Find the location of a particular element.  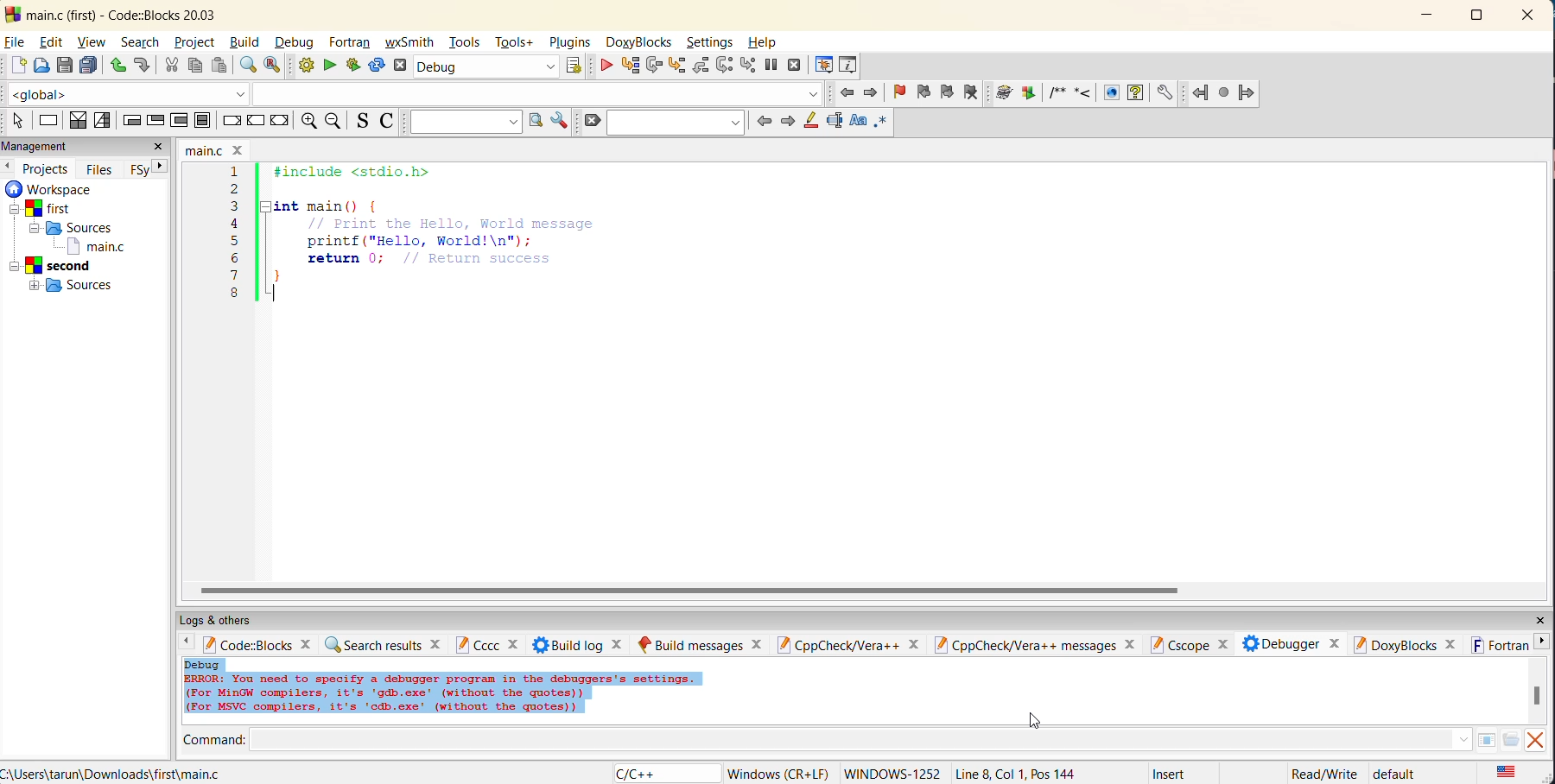

return instruction is located at coordinates (280, 120).